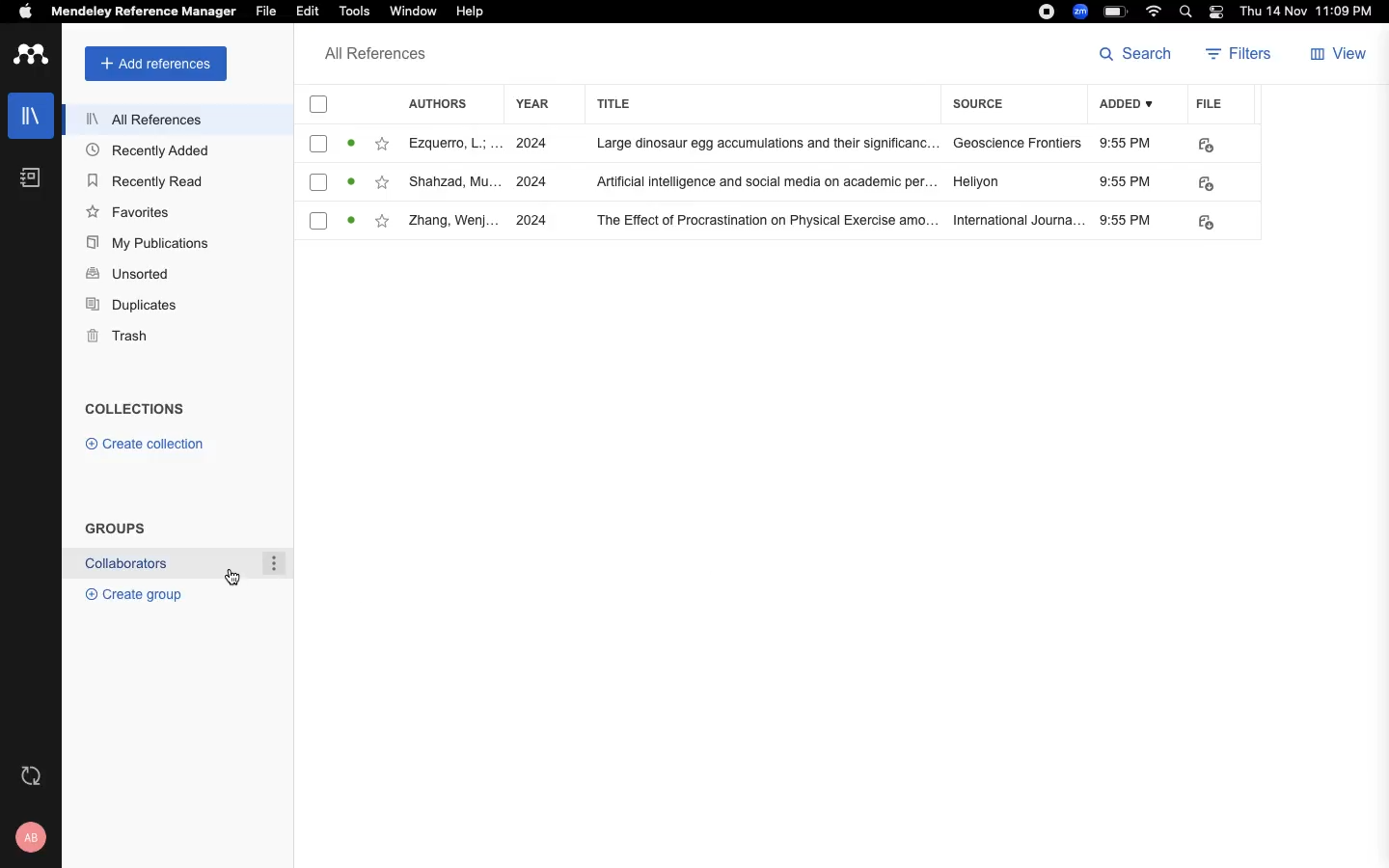  Describe the element at coordinates (1207, 185) in the screenshot. I see `link to file` at that location.